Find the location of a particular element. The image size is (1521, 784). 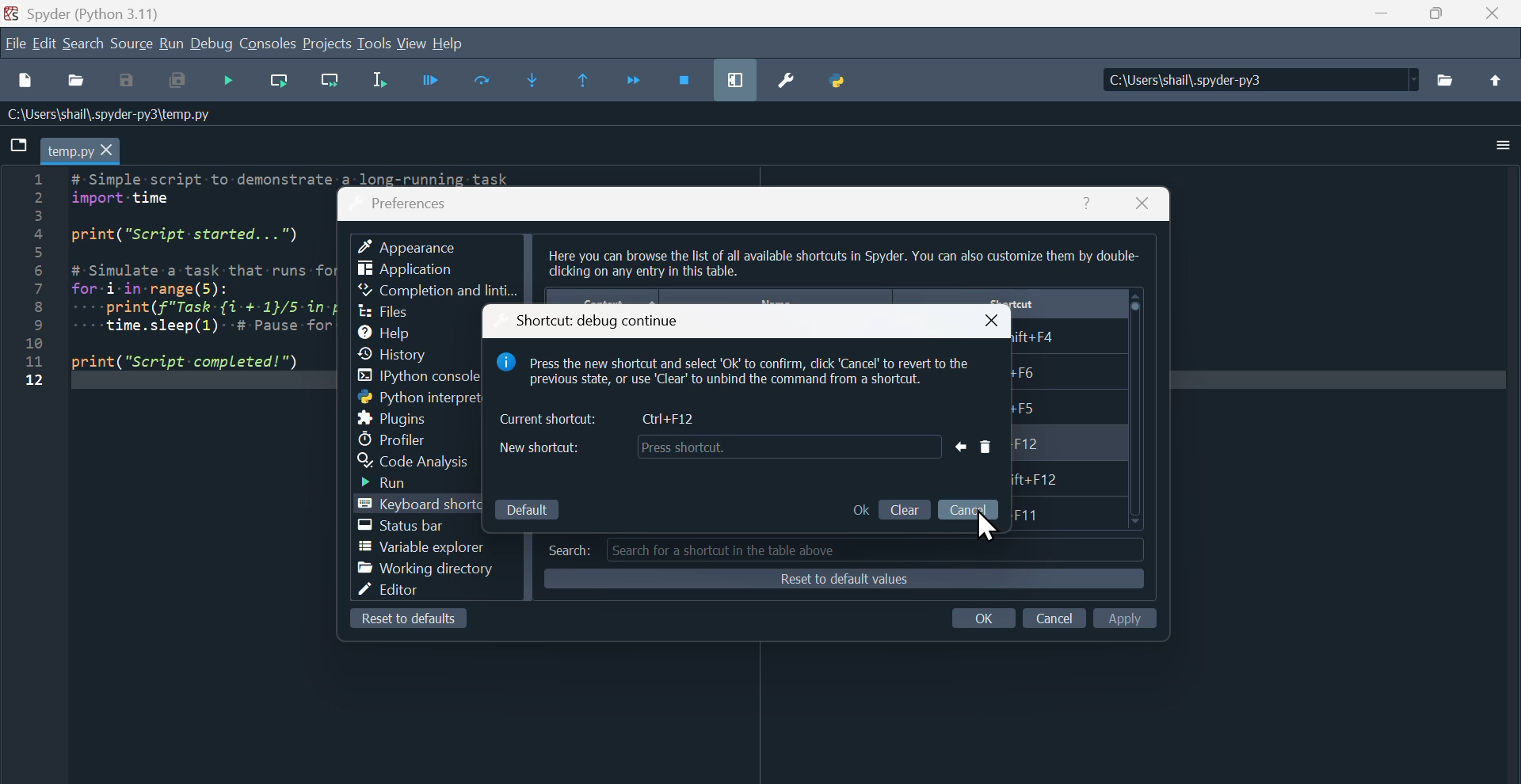

Python interpreters is located at coordinates (406, 397).